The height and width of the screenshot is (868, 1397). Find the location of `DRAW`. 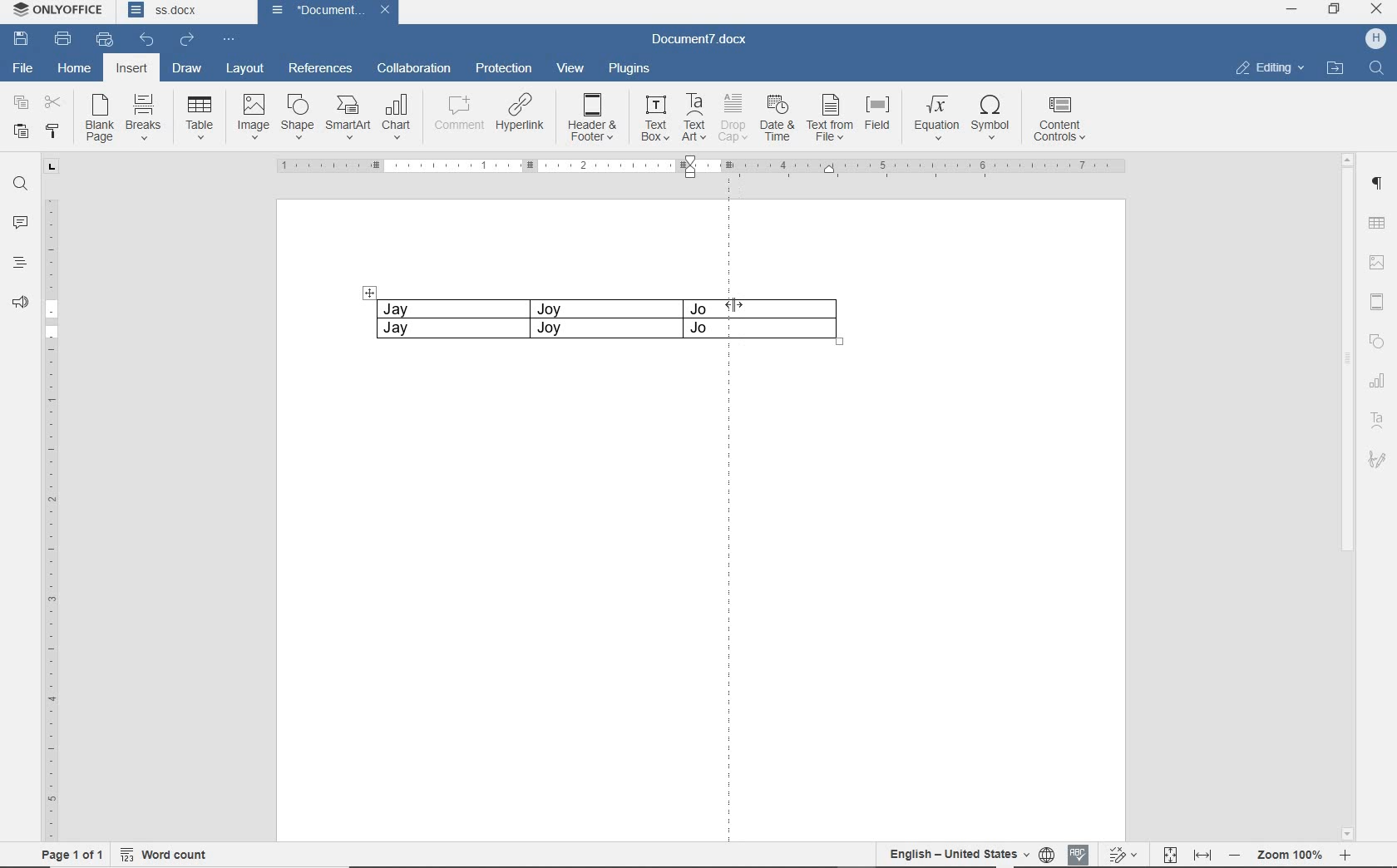

DRAW is located at coordinates (186, 67).